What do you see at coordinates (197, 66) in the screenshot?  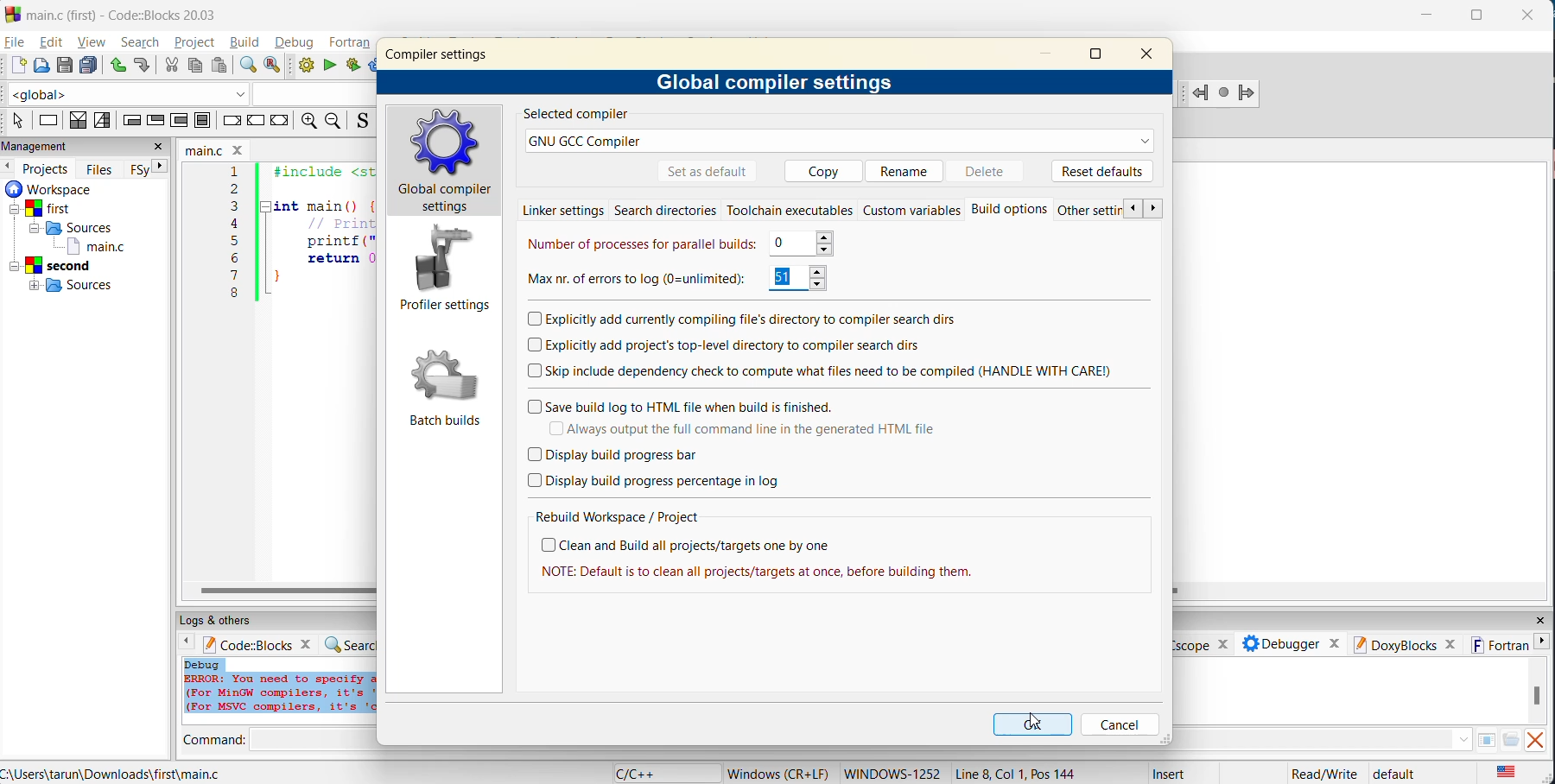 I see `copy` at bounding box center [197, 66].